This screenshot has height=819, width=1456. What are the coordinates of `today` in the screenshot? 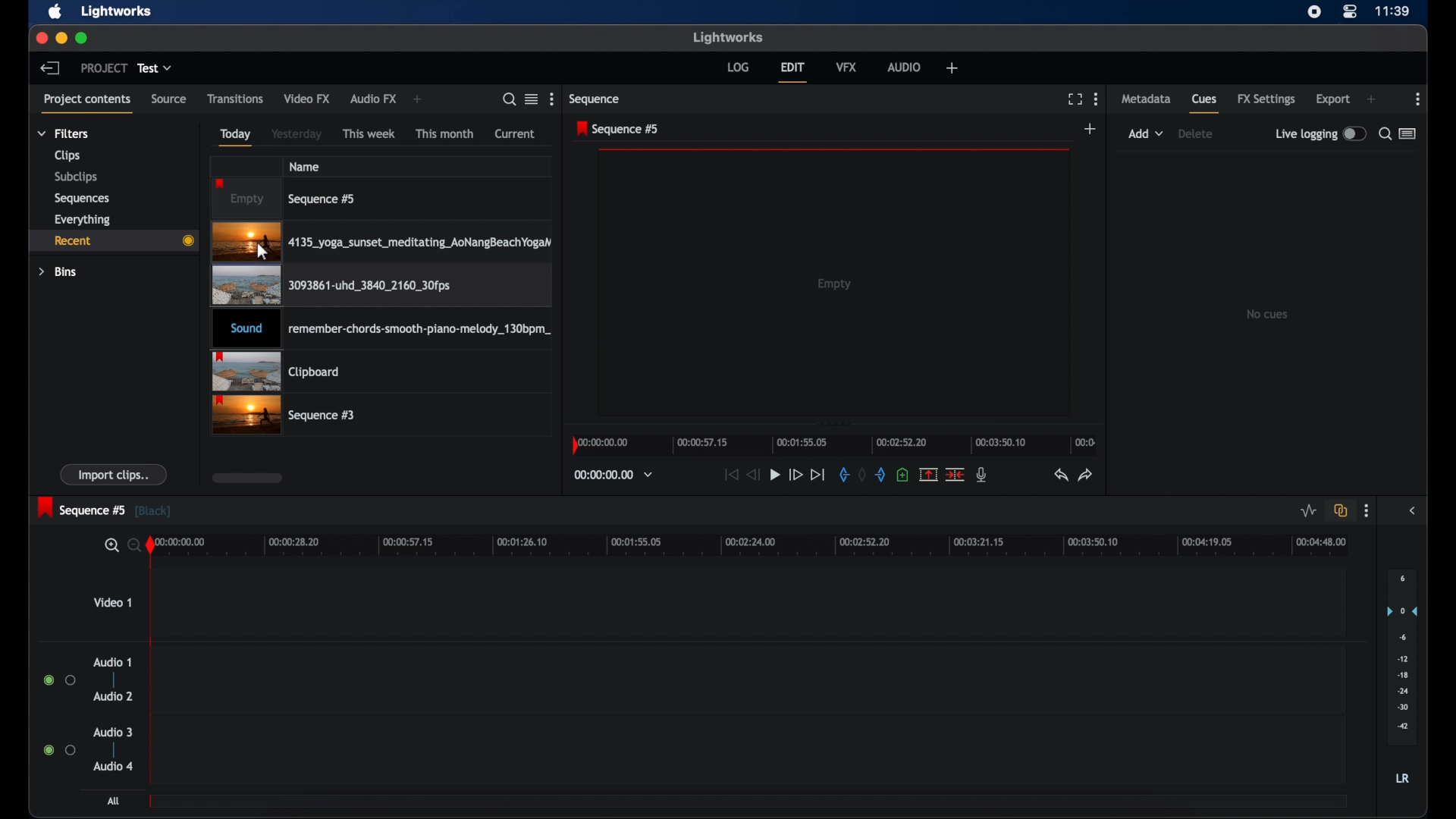 It's located at (236, 137).